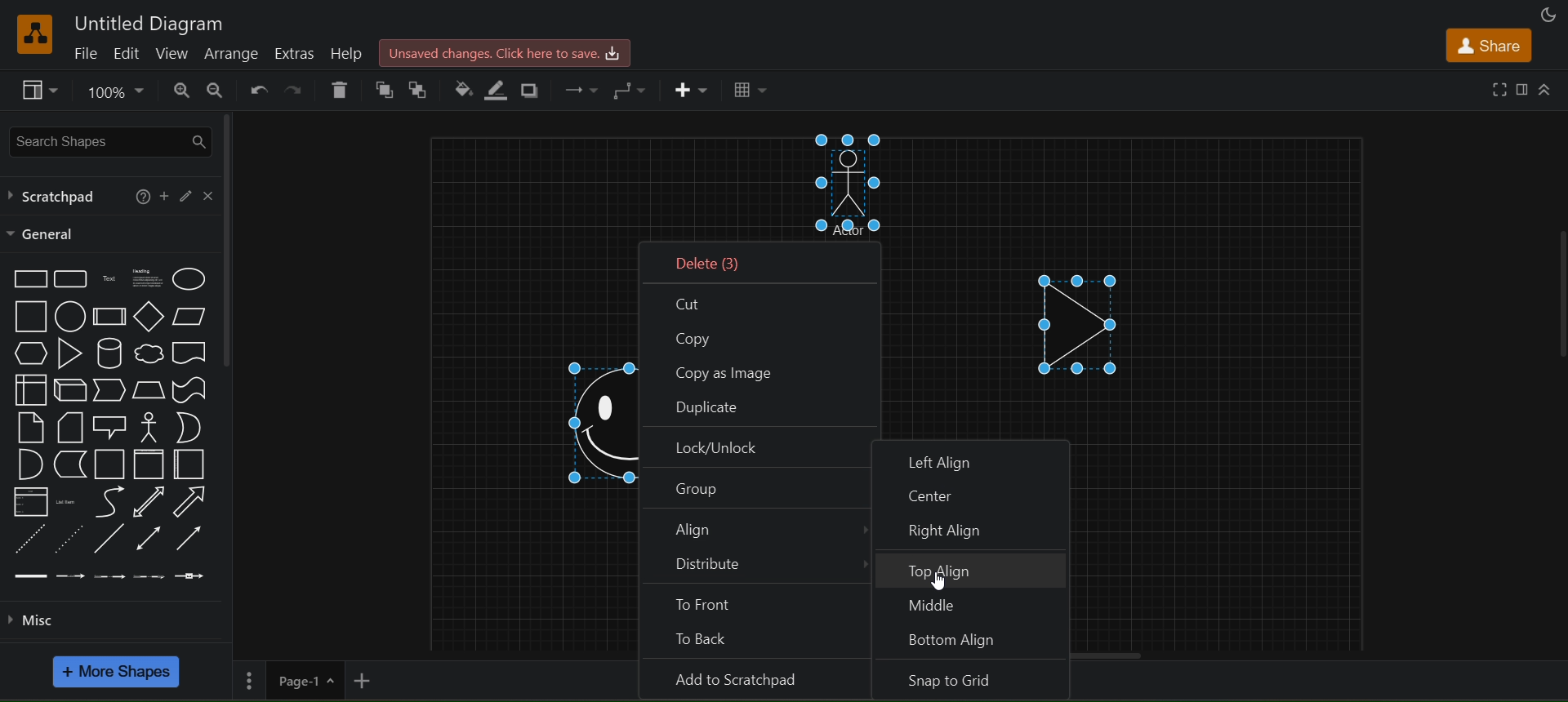 Image resolution: width=1568 pixels, height=702 pixels. What do you see at coordinates (756, 371) in the screenshot?
I see `copy as image` at bounding box center [756, 371].